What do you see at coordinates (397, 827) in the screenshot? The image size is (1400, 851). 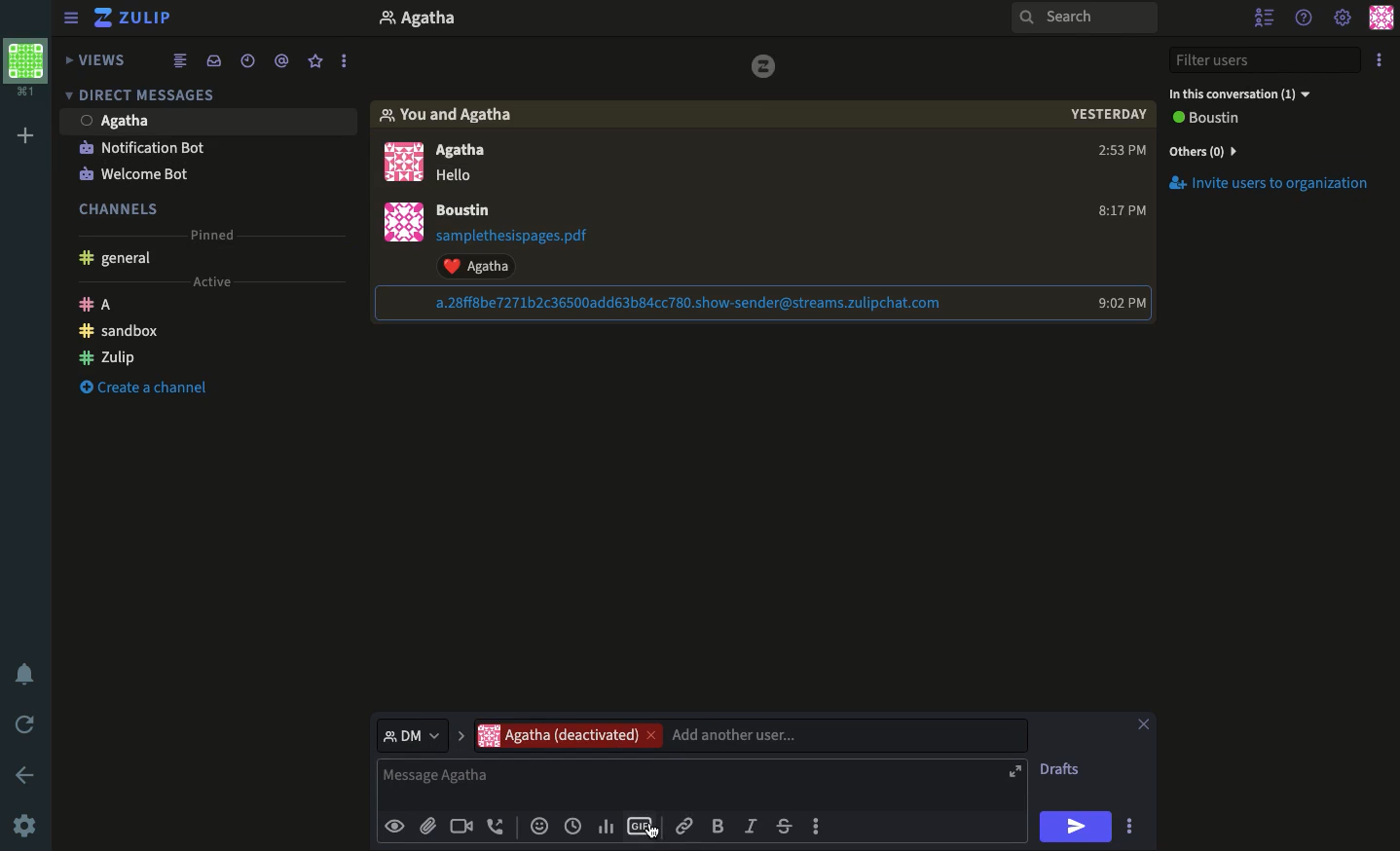 I see `Preview` at bounding box center [397, 827].